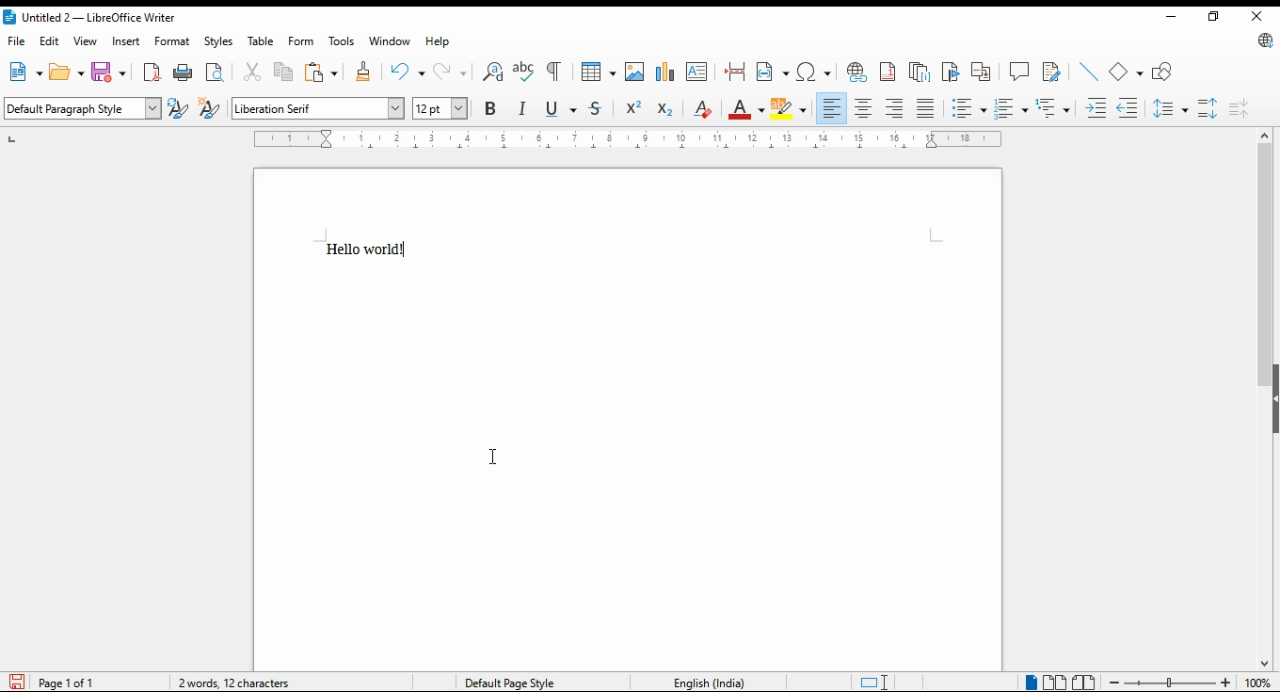 The width and height of the screenshot is (1280, 692). What do you see at coordinates (90, 16) in the screenshot?
I see `icon and file name` at bounding box center [90, 16].